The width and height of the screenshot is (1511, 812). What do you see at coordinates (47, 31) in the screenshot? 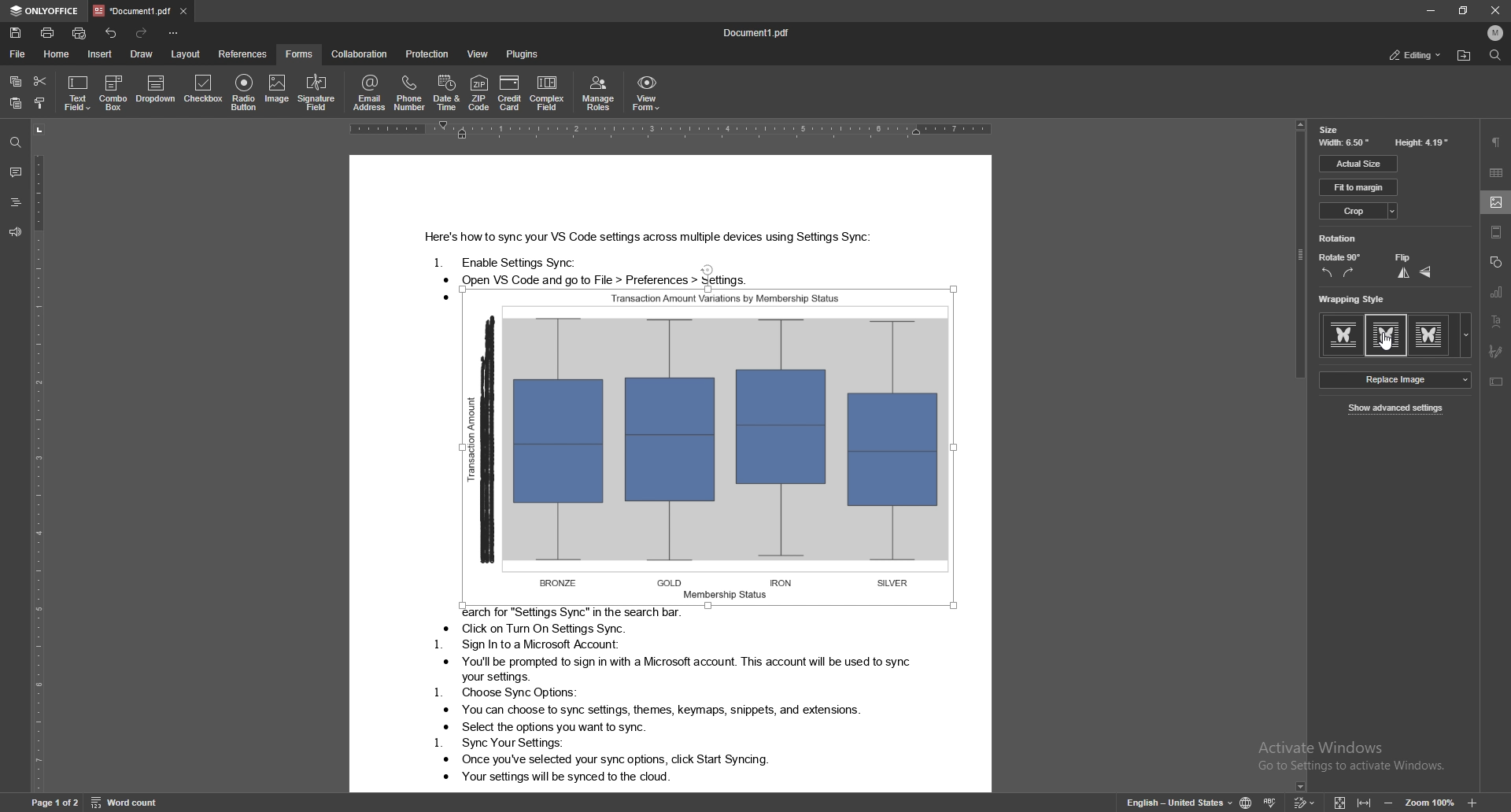
I see `print` at bounding box center [47, 31].